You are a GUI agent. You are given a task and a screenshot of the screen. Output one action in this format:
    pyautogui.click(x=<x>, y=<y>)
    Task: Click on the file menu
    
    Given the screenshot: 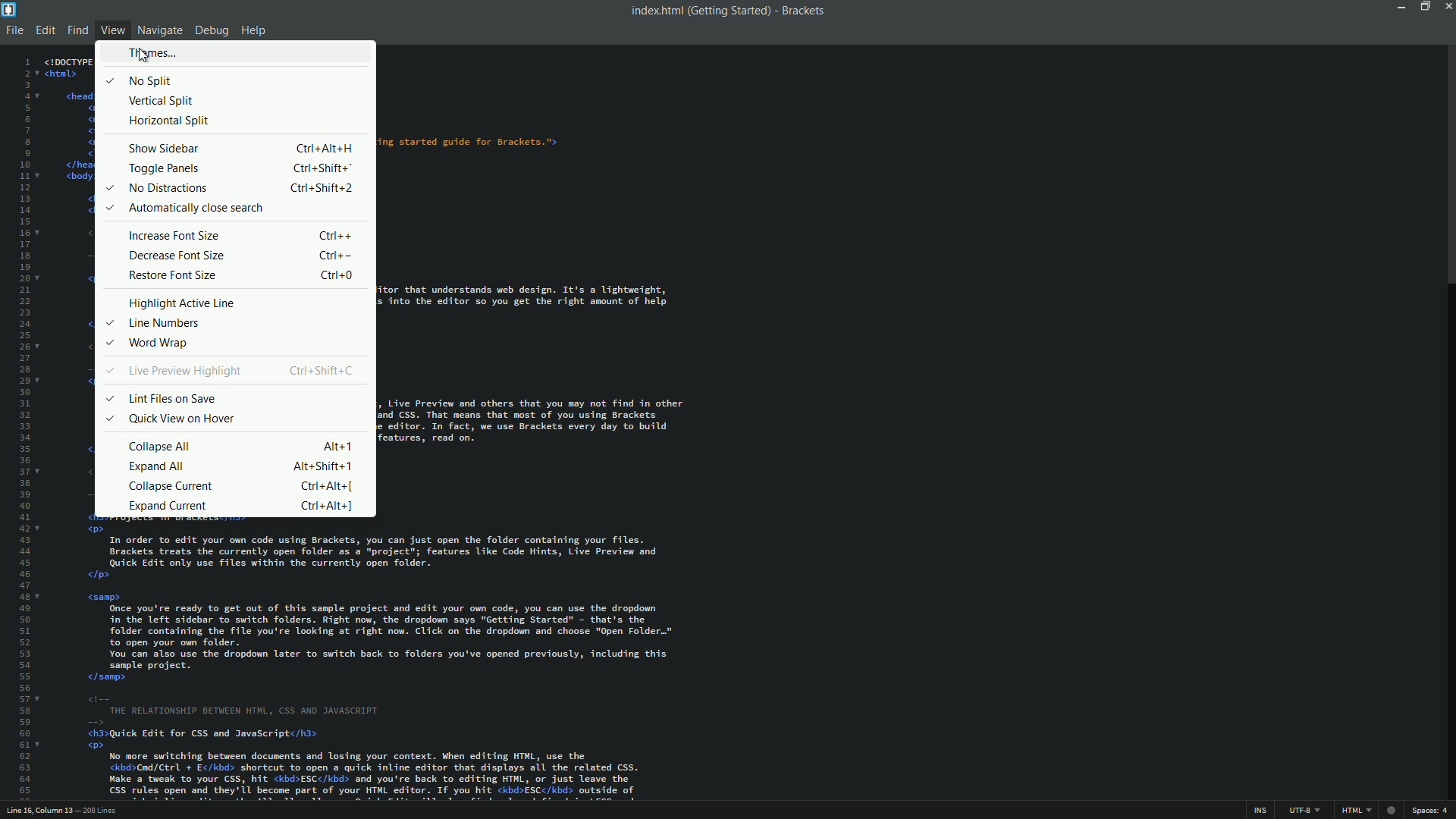 What is the action you would take?
    pyautogui.click(x=13, y=30)
    